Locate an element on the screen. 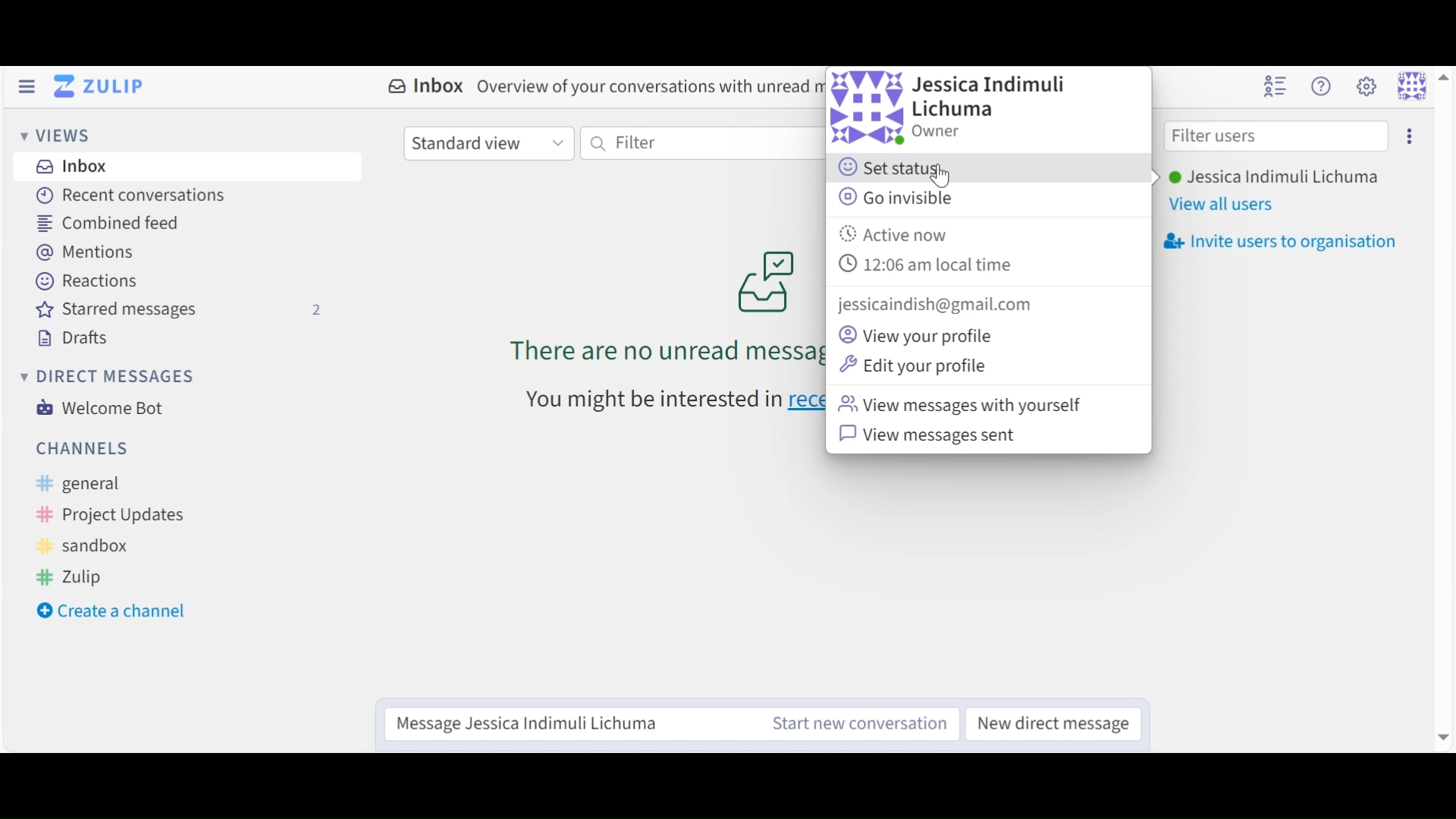  Cursor is located at coordinates (943, 175).